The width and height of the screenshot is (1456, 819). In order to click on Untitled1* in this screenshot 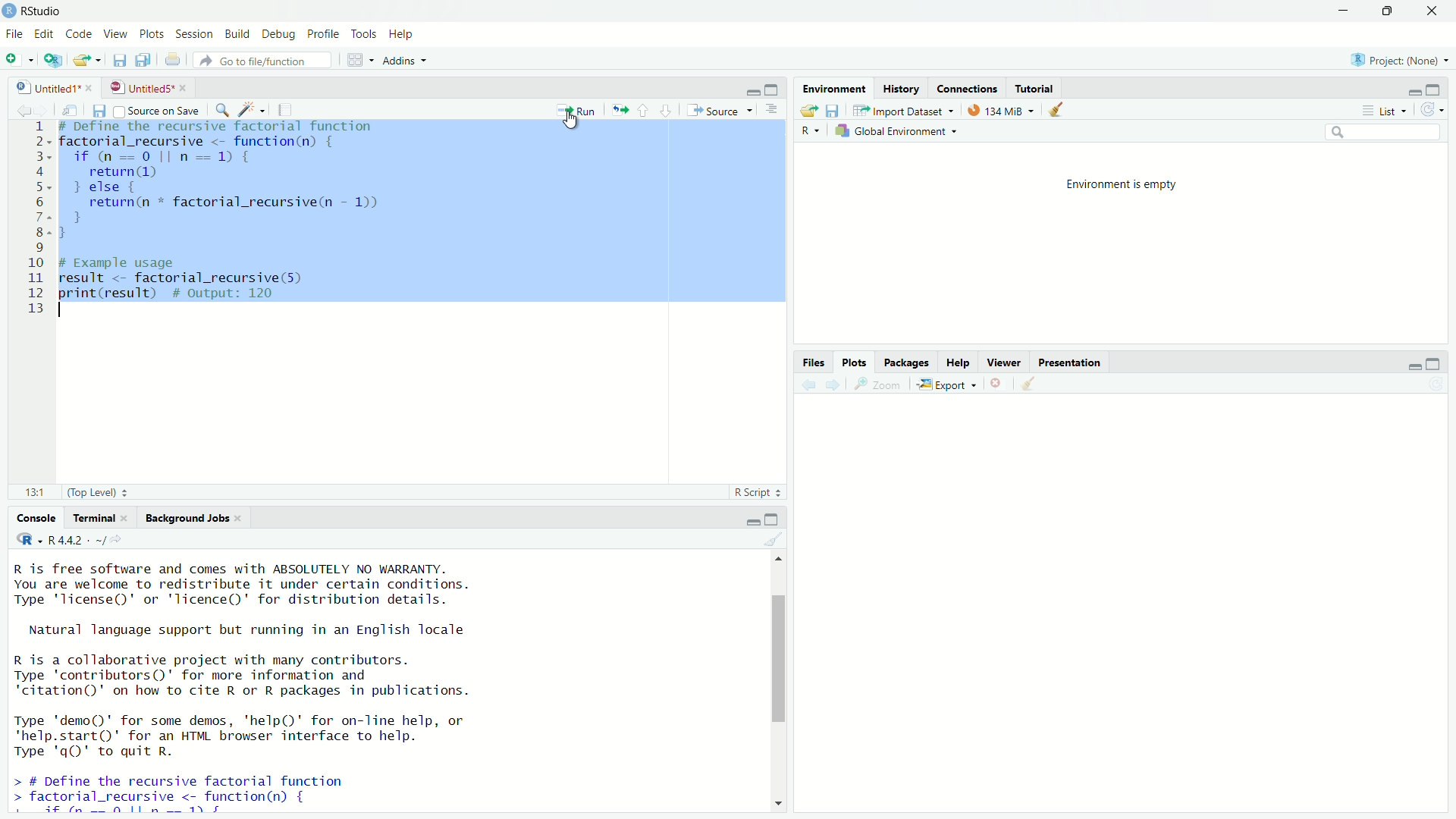, I will do `click(49, 87)`.